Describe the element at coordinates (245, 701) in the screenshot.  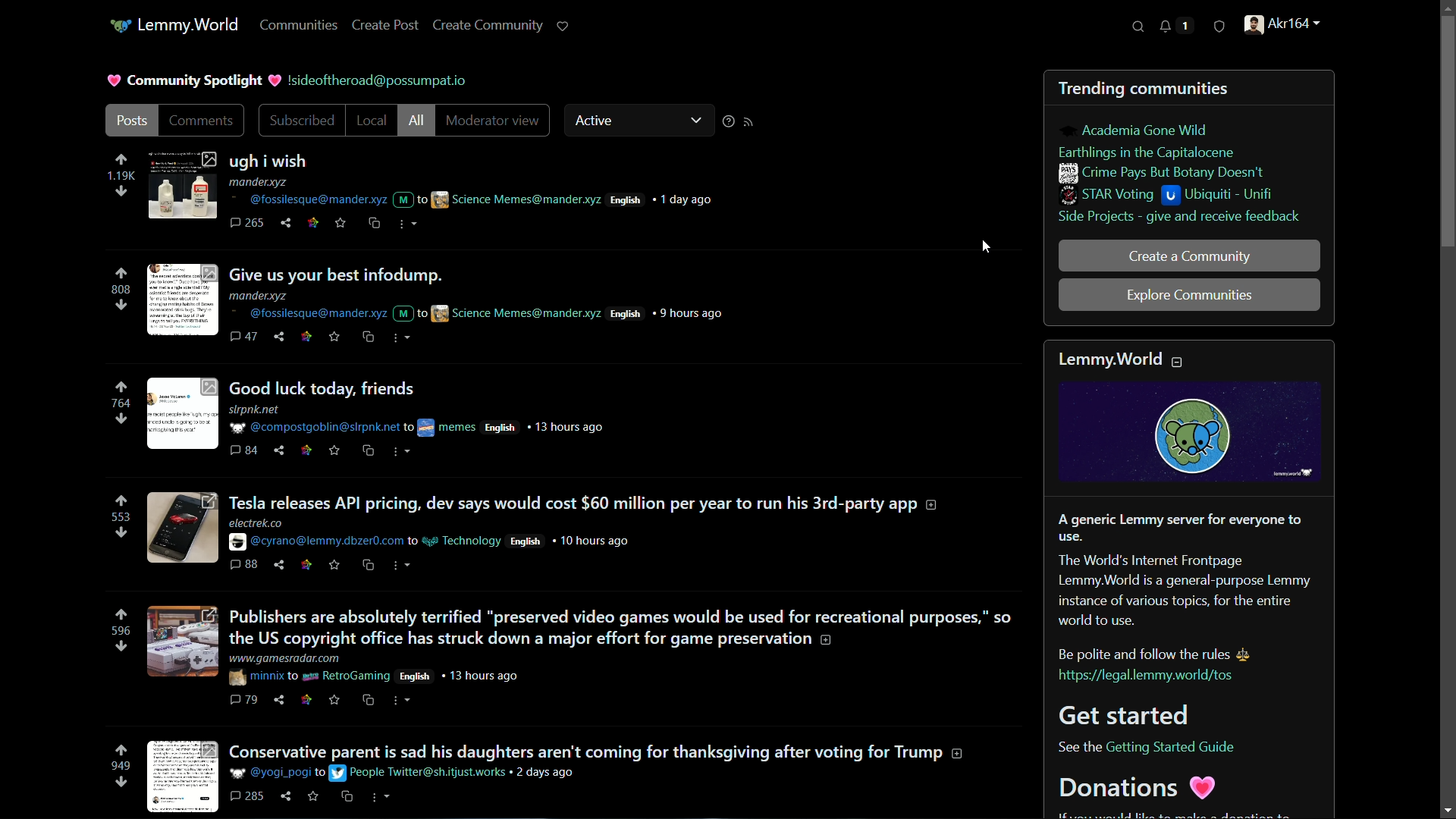
I see `79 comments` at that location.